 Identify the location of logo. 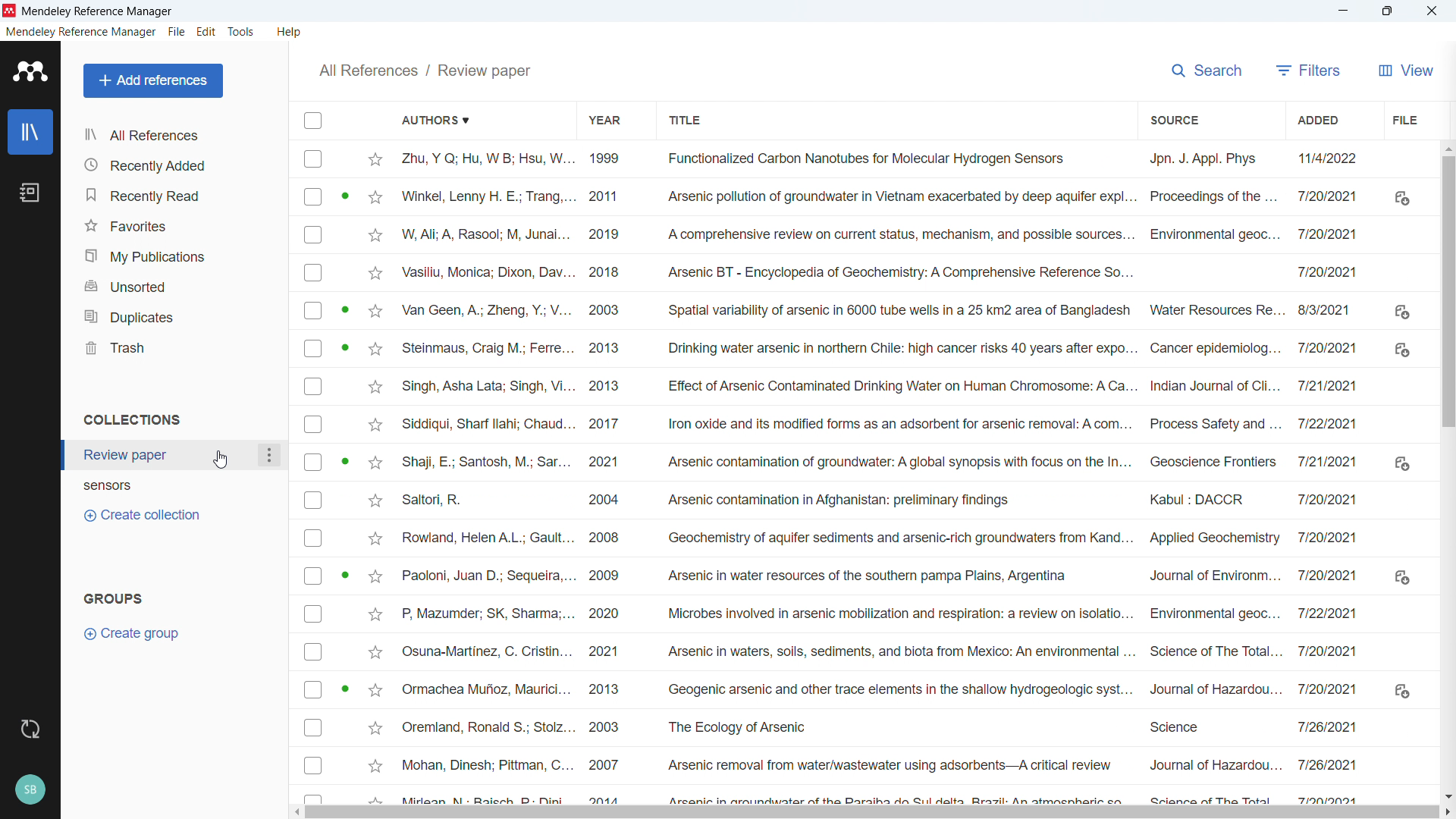
(10, 11).